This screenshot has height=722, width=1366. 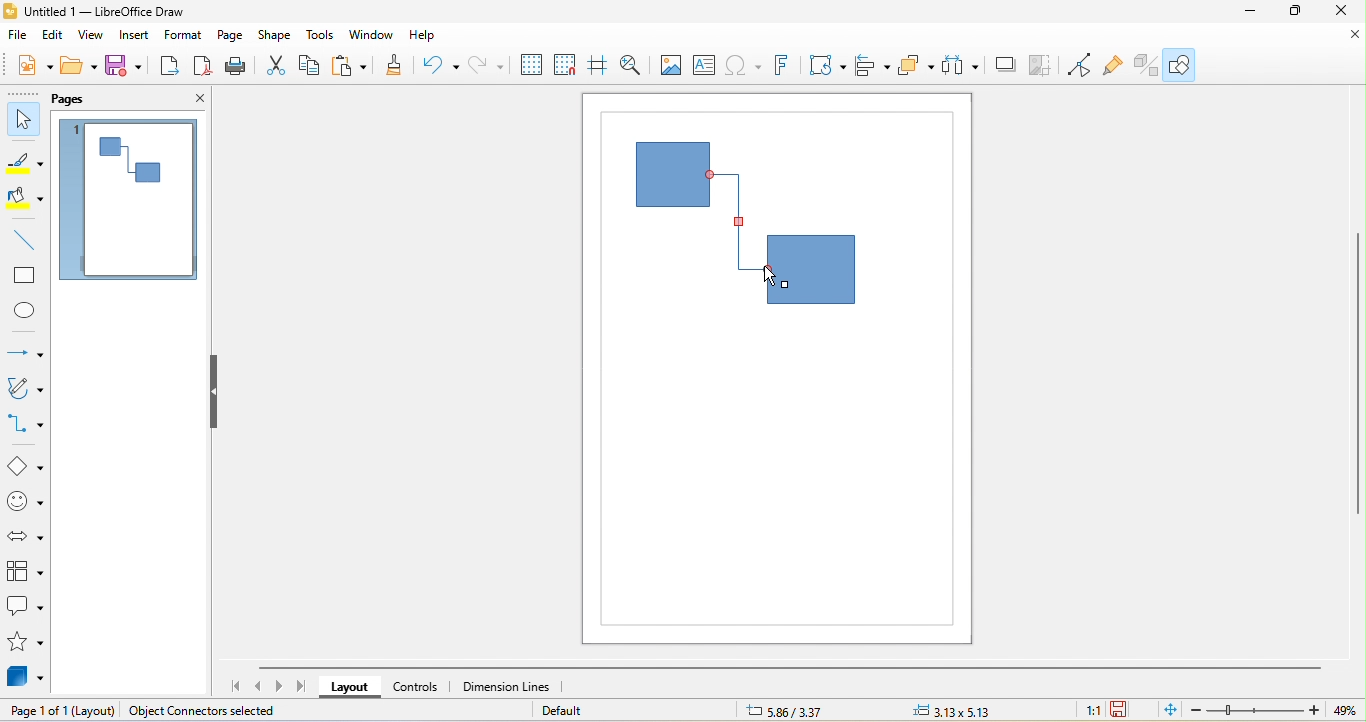 What do you see at coordinates (99, 11) in the screenshot?
I see `untitled 1-libre office draw` at bounding box center [99, 11].